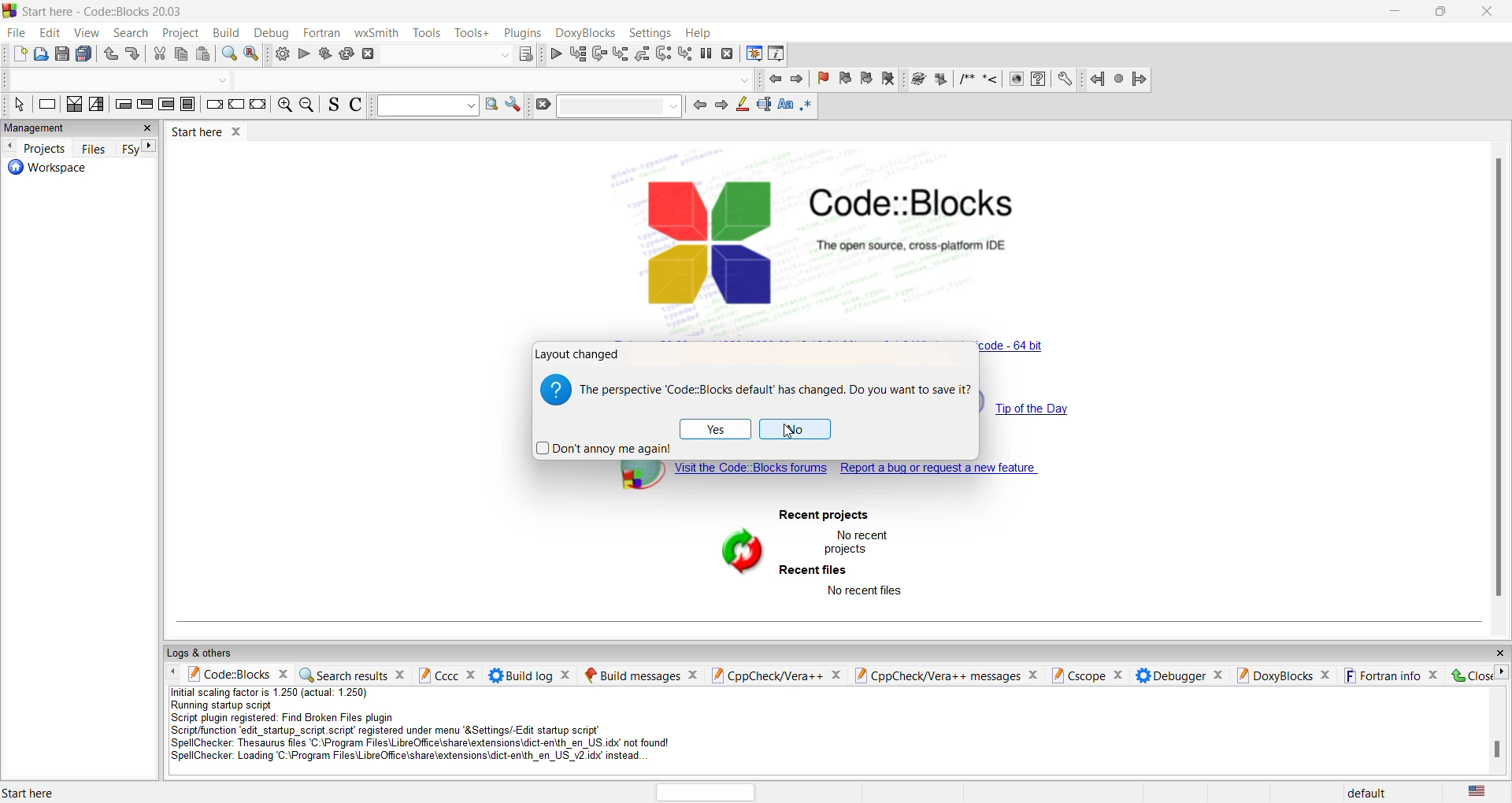 This screenshot has width=1512, height=803. What do you see at coordinates (513, 106) in the screenshot?
I see `settings` at bounding box center [513, 106].